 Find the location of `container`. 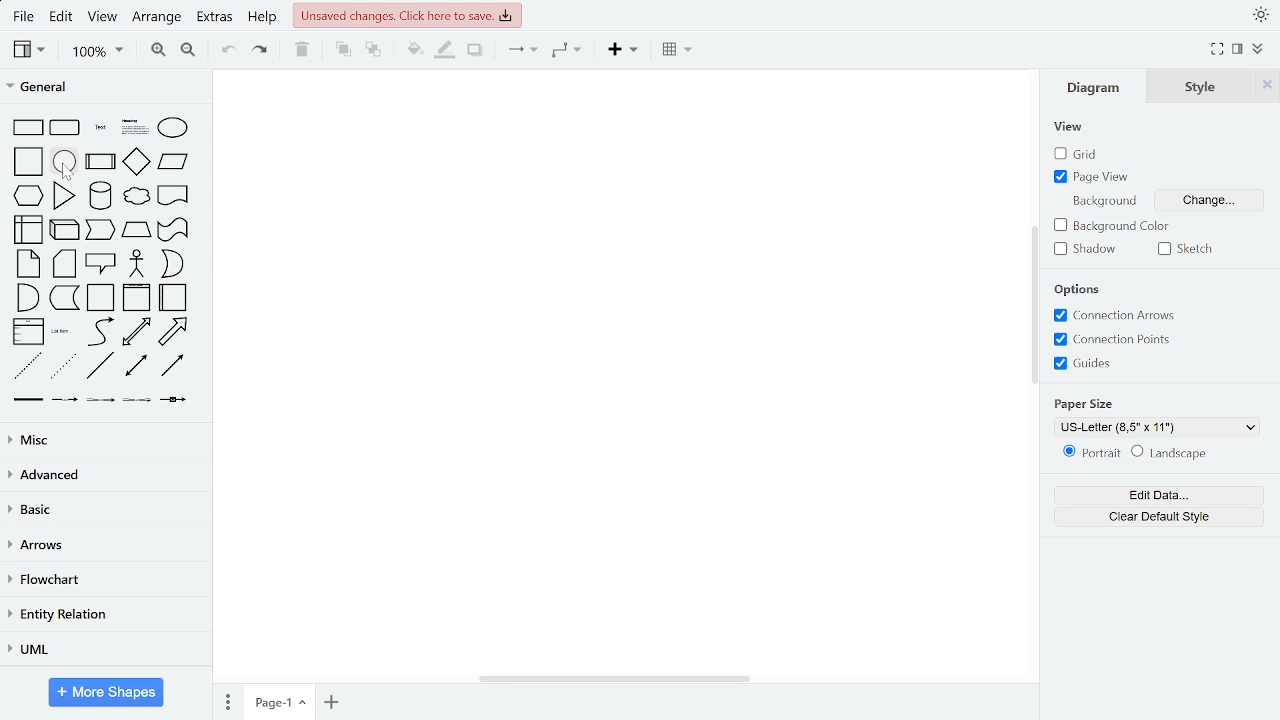

container is located at coordinates (101, 298).